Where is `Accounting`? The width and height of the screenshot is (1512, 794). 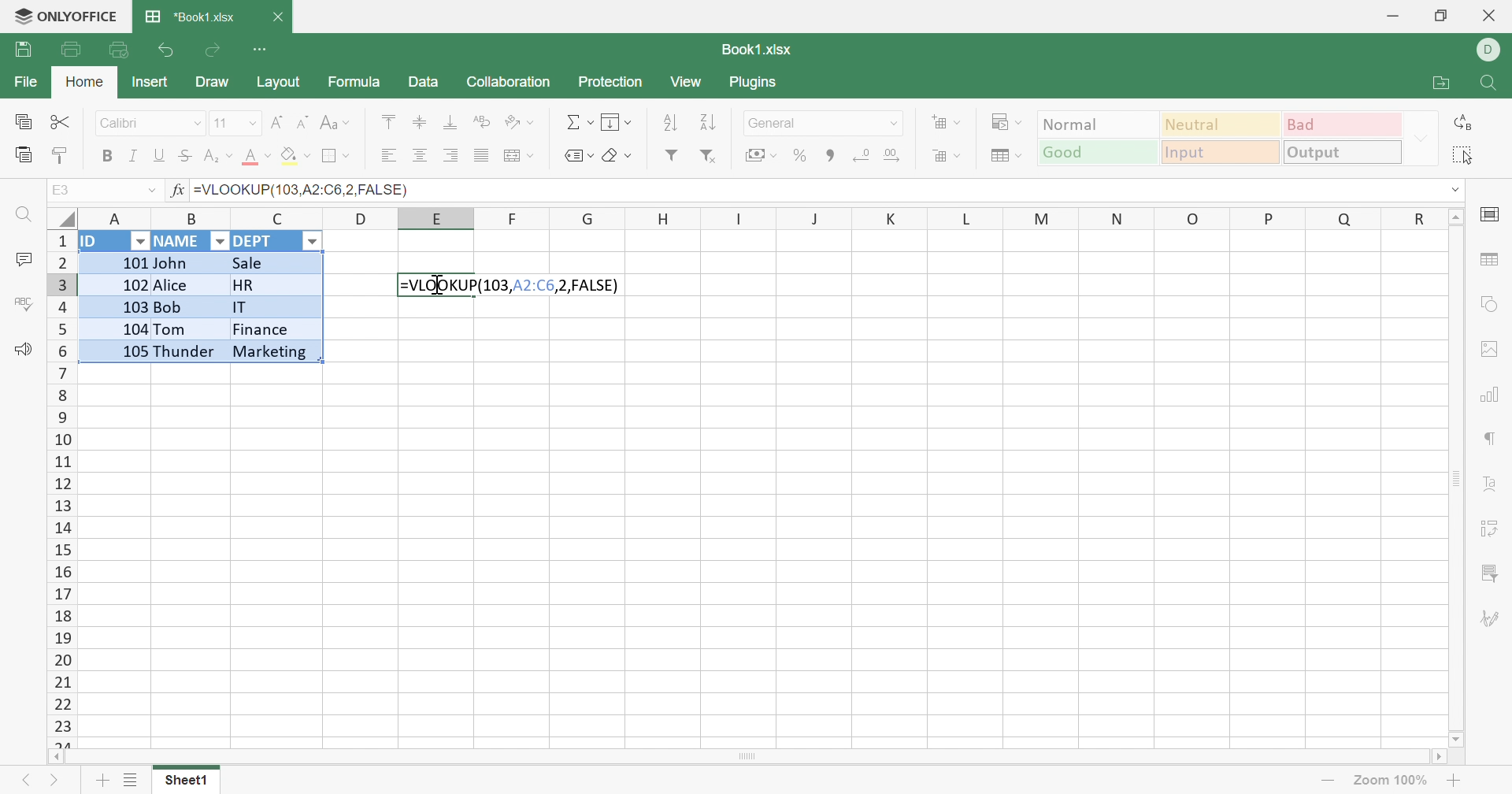 Accounting is located at coordinates (759, 155).